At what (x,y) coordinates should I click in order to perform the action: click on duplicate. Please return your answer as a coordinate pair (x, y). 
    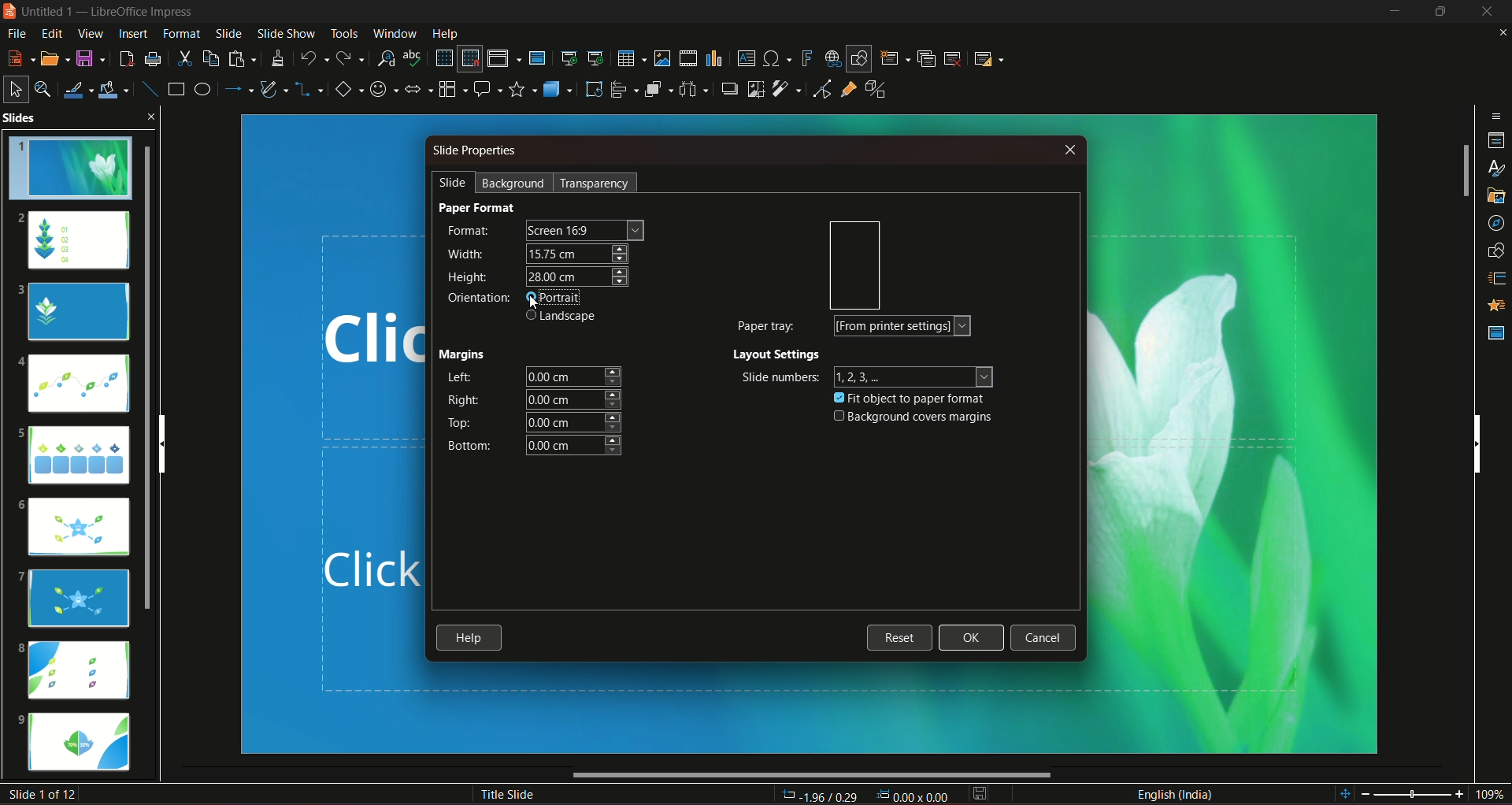
    Looking at the image, I should click on (926, 57).